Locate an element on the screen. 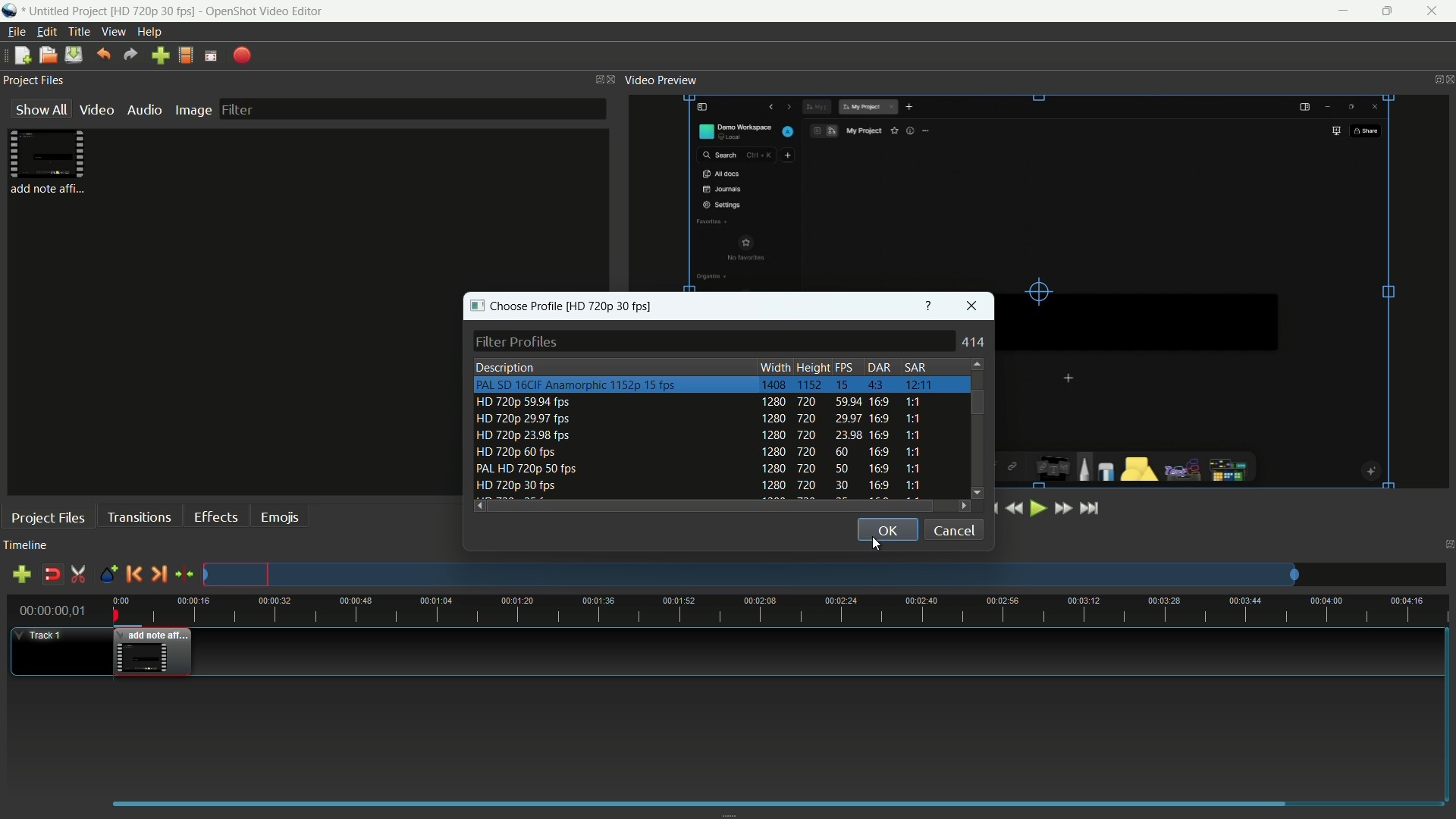 The height and width of the screenshot is (819, 1456). open file is located at coordinates (46, 56).